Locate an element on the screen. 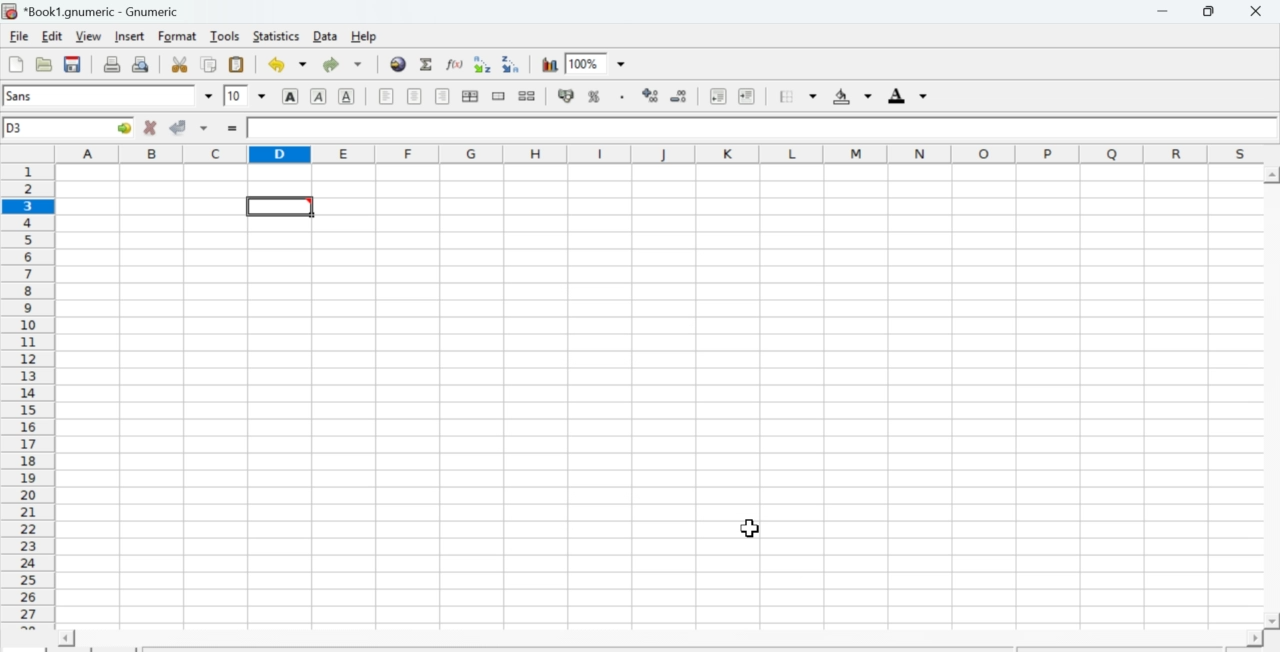 The height and width of the screenshot is (652, 1280). Background is located at coordinates (853, 95).